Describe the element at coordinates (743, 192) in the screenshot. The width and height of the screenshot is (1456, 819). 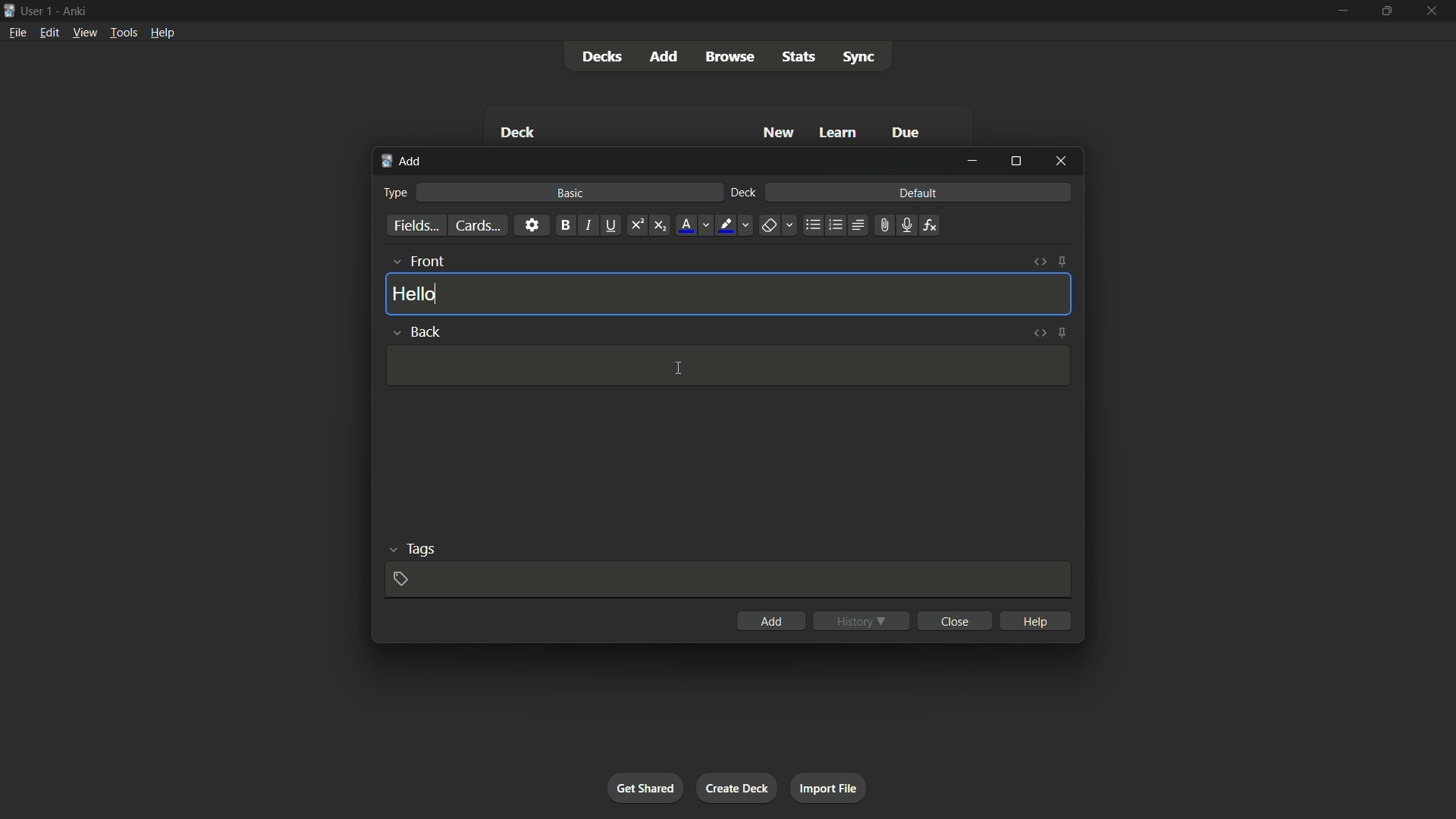
I see `deck` at that location.